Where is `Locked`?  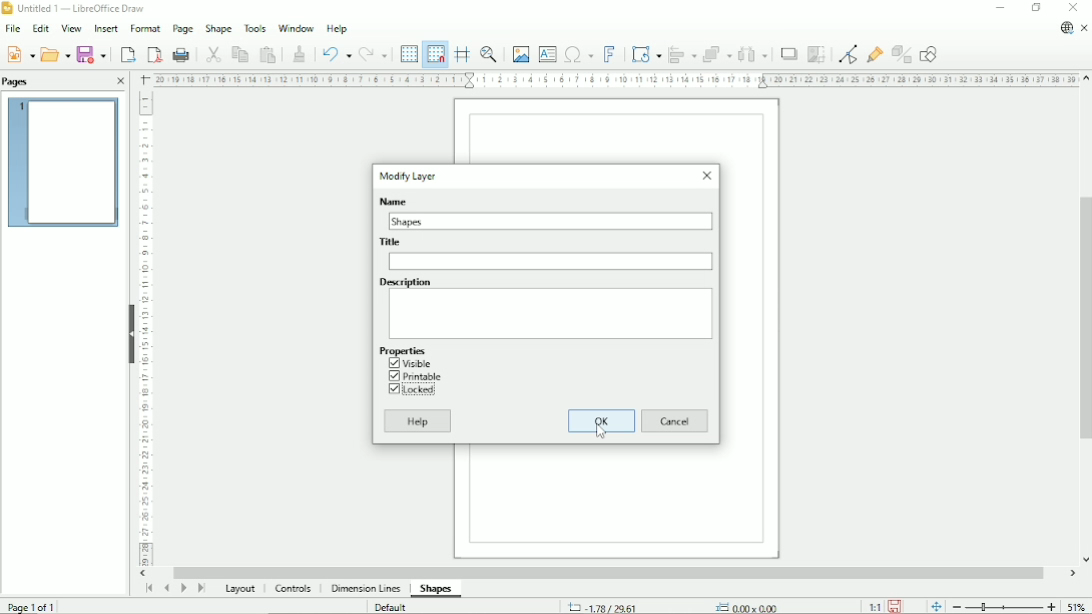 Locked is located at coordinates (417, 390).